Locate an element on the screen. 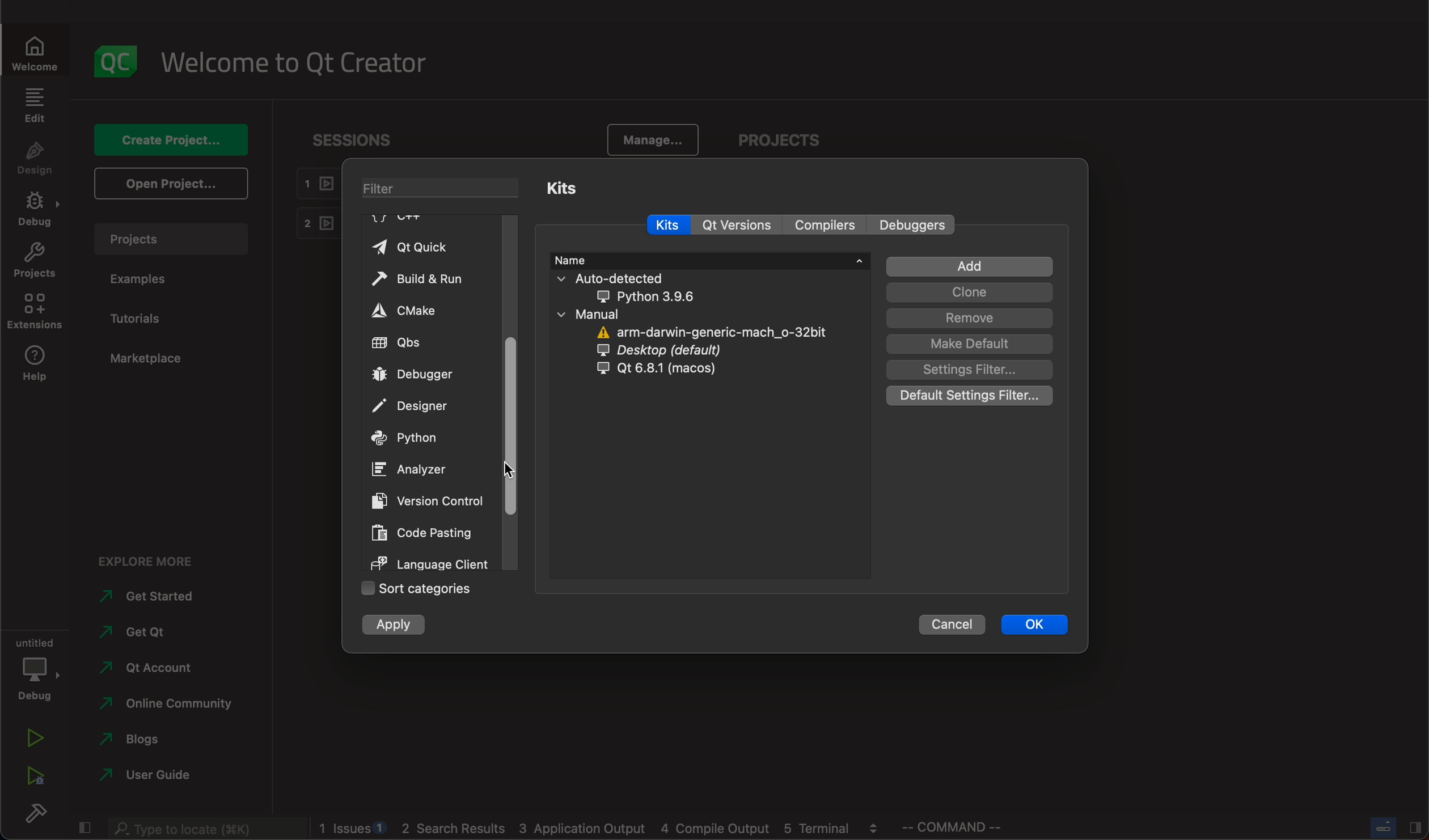 The image size is (1429, 840). ok is located at coordinates (1037, 620).